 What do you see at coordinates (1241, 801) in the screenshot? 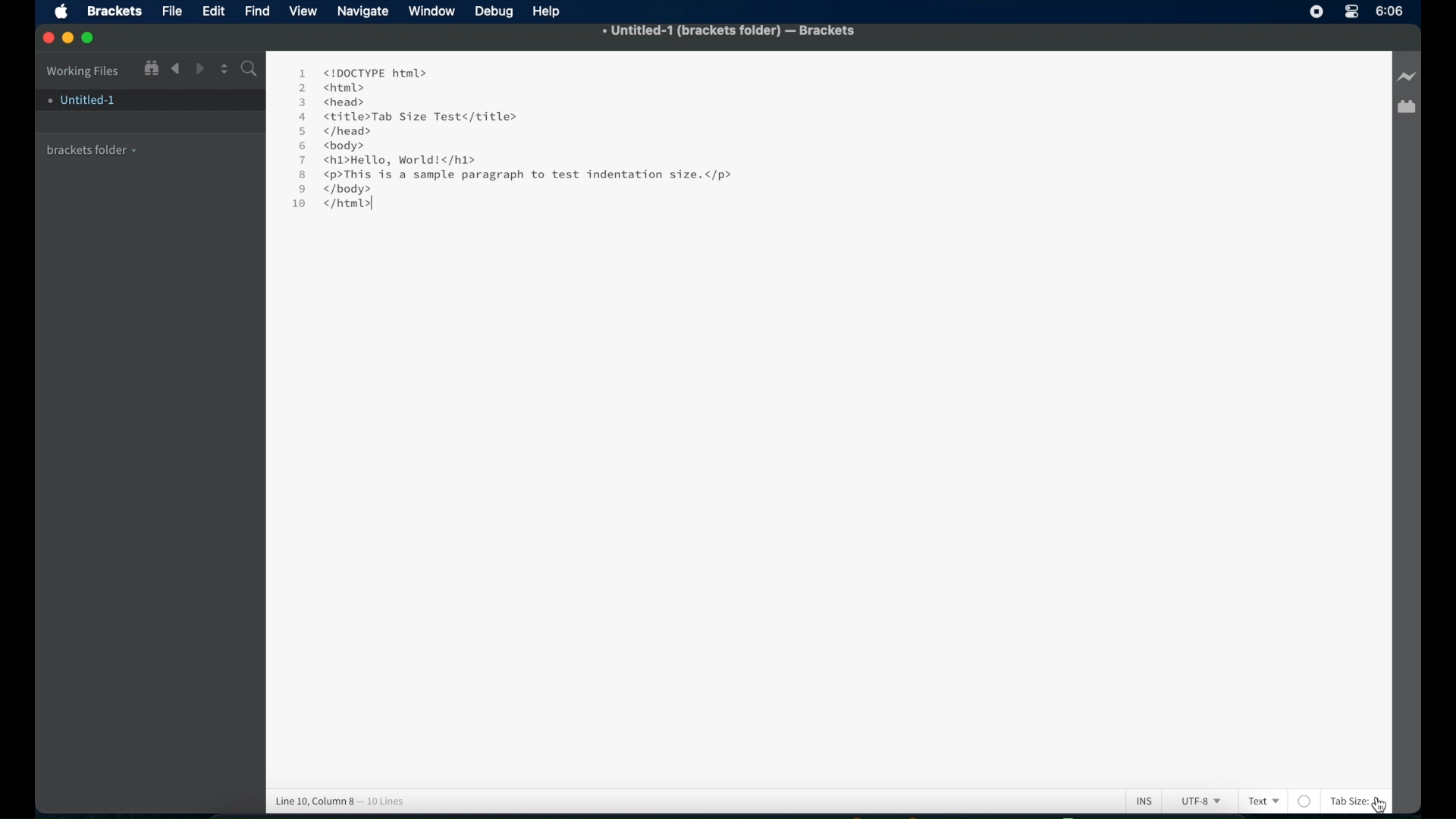
I see `Cursor` at bounding box center [1241, 801].